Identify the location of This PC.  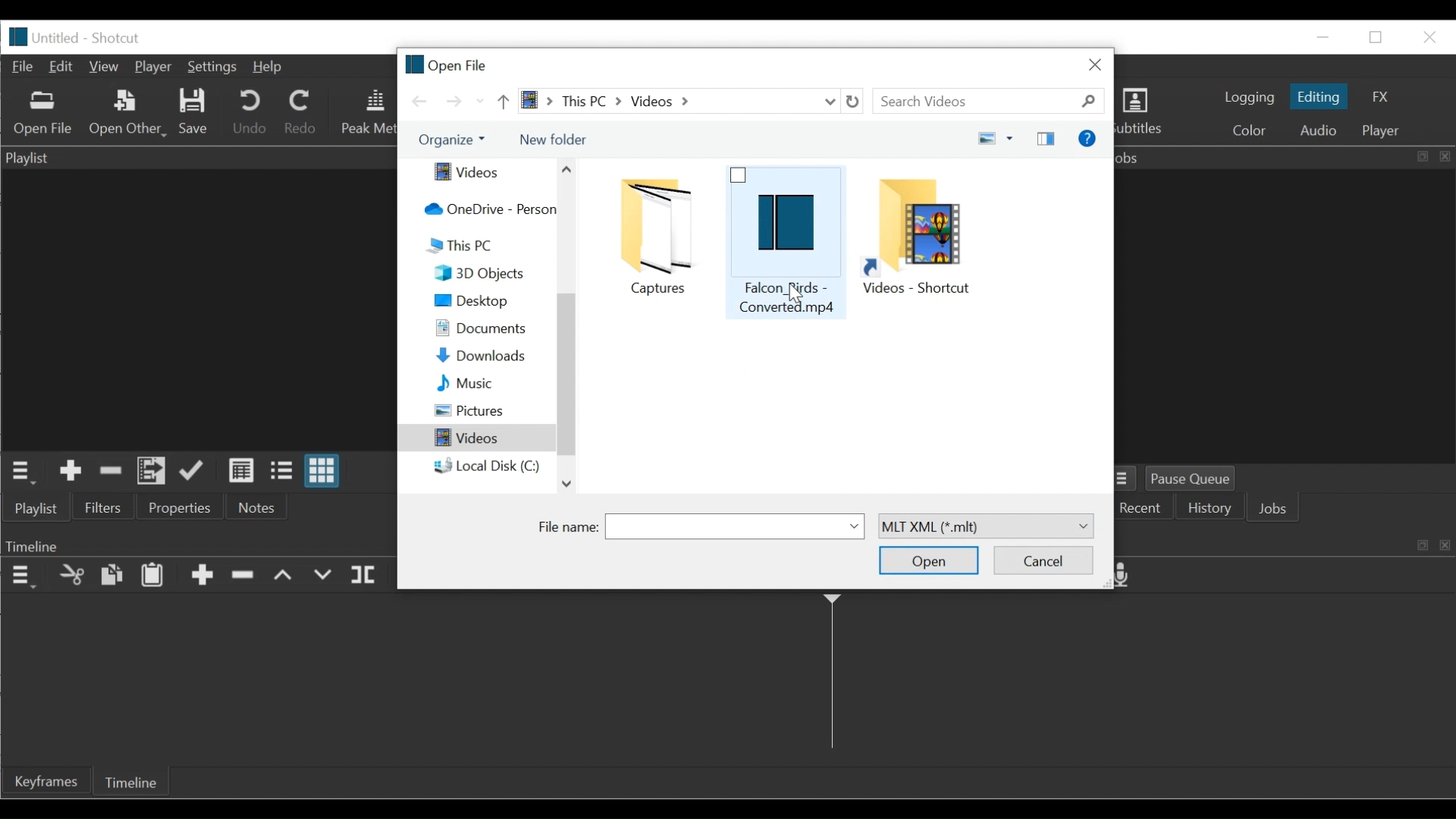
(485, 246).